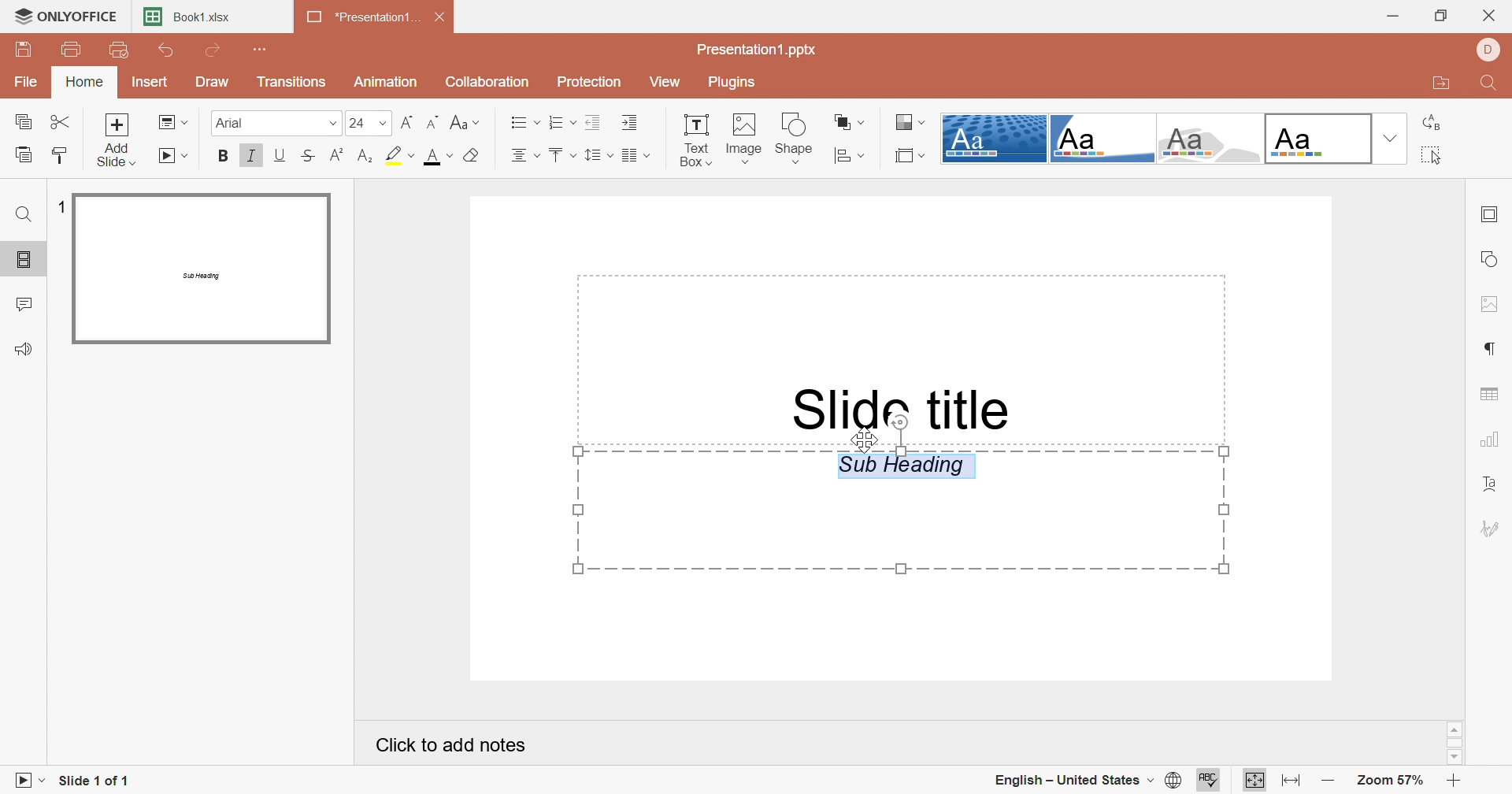  I want to click on Protection, so click(593, 83).